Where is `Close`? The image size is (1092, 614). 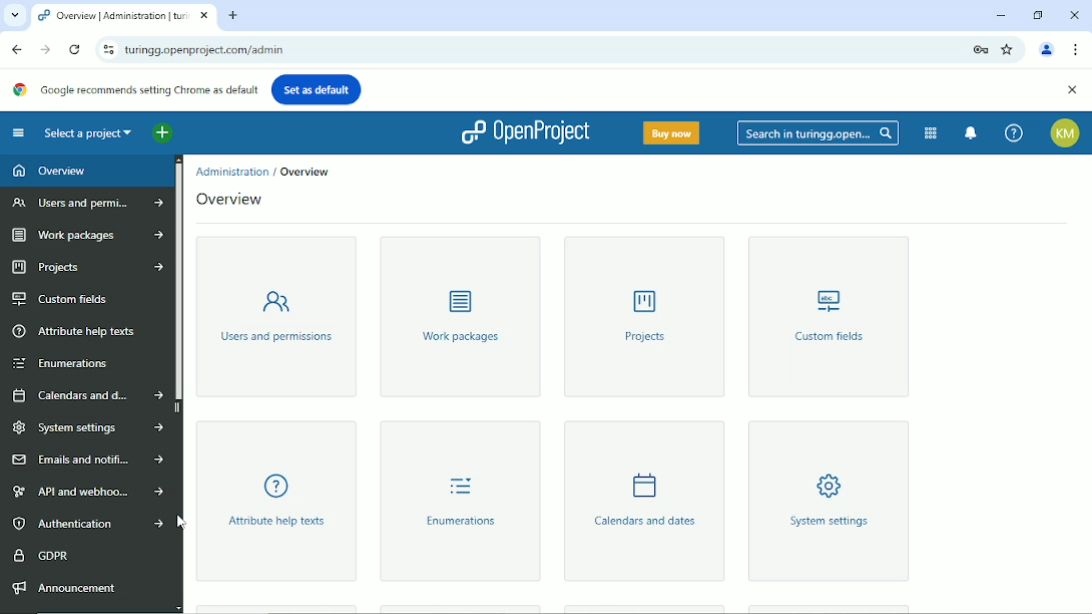 Close is located at coordinates (1071, 90).